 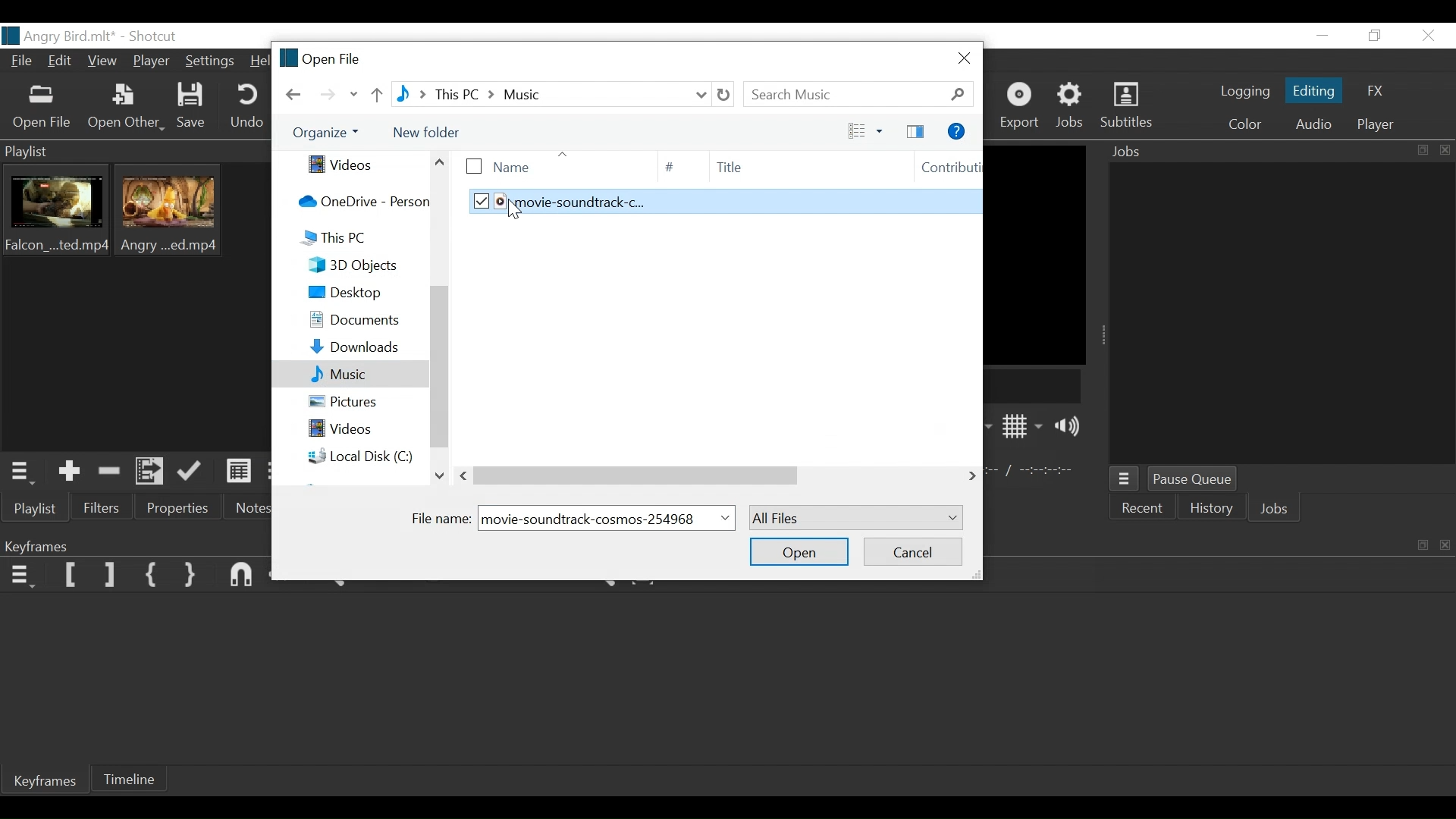 I want to click on Player, so click(x=1372, y=126).